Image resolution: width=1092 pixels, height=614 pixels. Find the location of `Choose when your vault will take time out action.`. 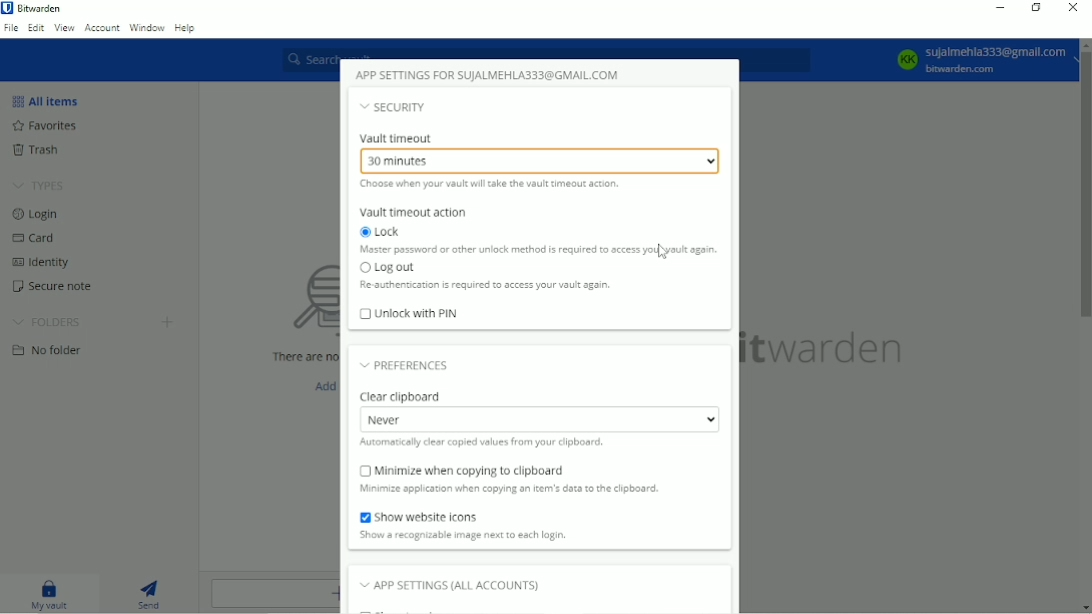

Choose when your vault will take time out action. is located at coordinates (495, 184).